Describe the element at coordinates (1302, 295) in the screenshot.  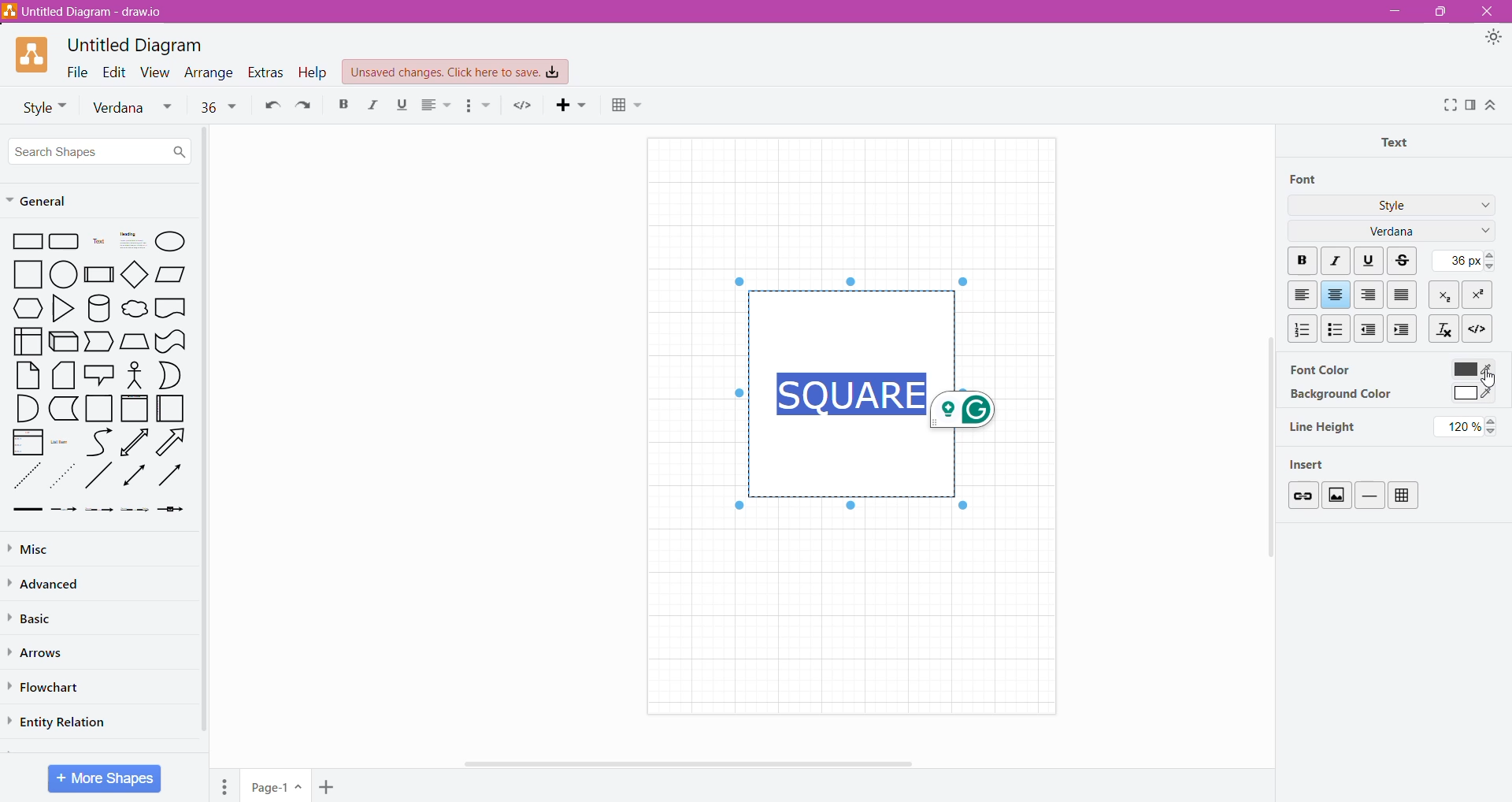
I see `Left` at that location.